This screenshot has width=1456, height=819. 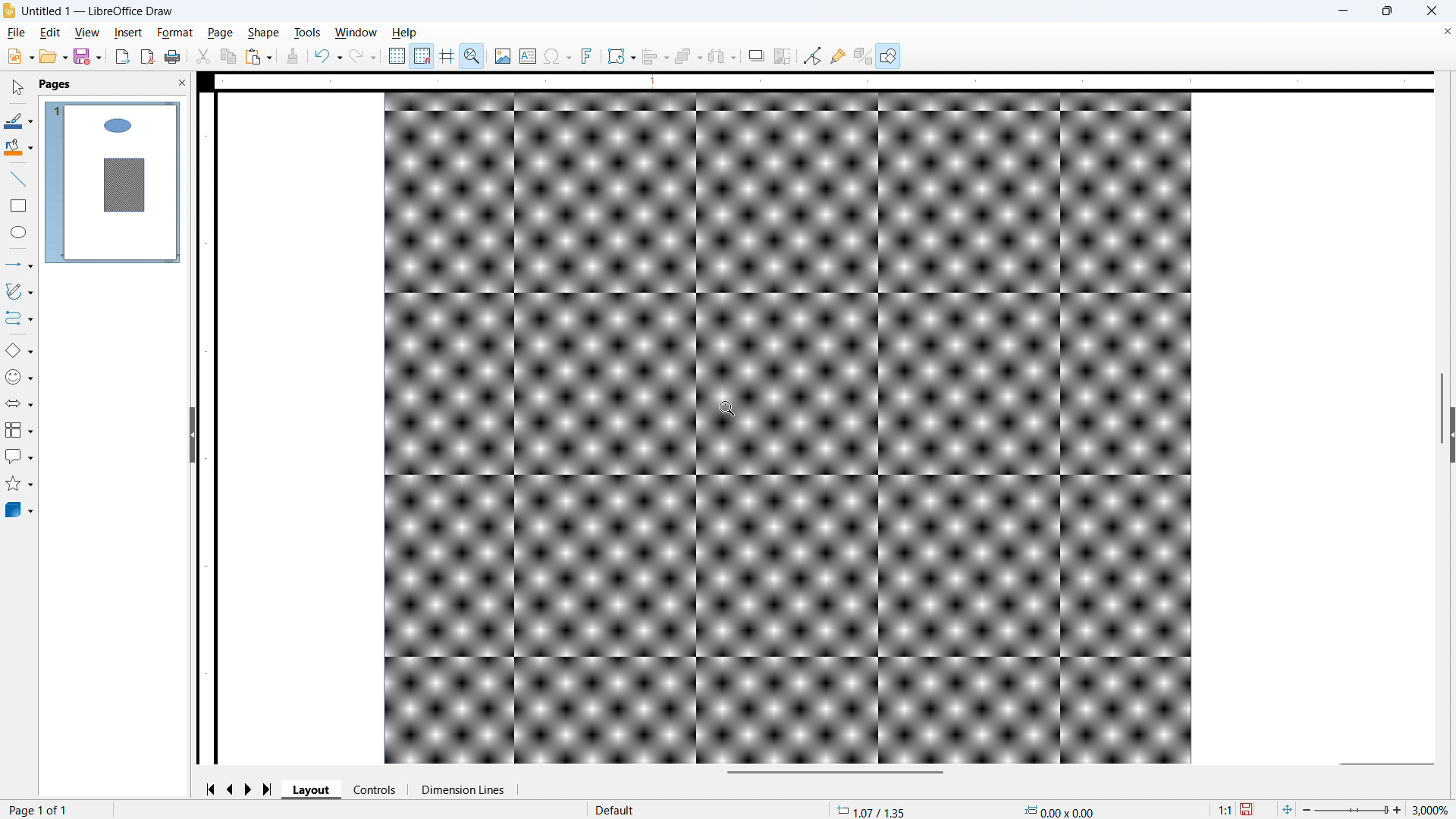 I want to click on Go to first page , so click(x=213, y=789).